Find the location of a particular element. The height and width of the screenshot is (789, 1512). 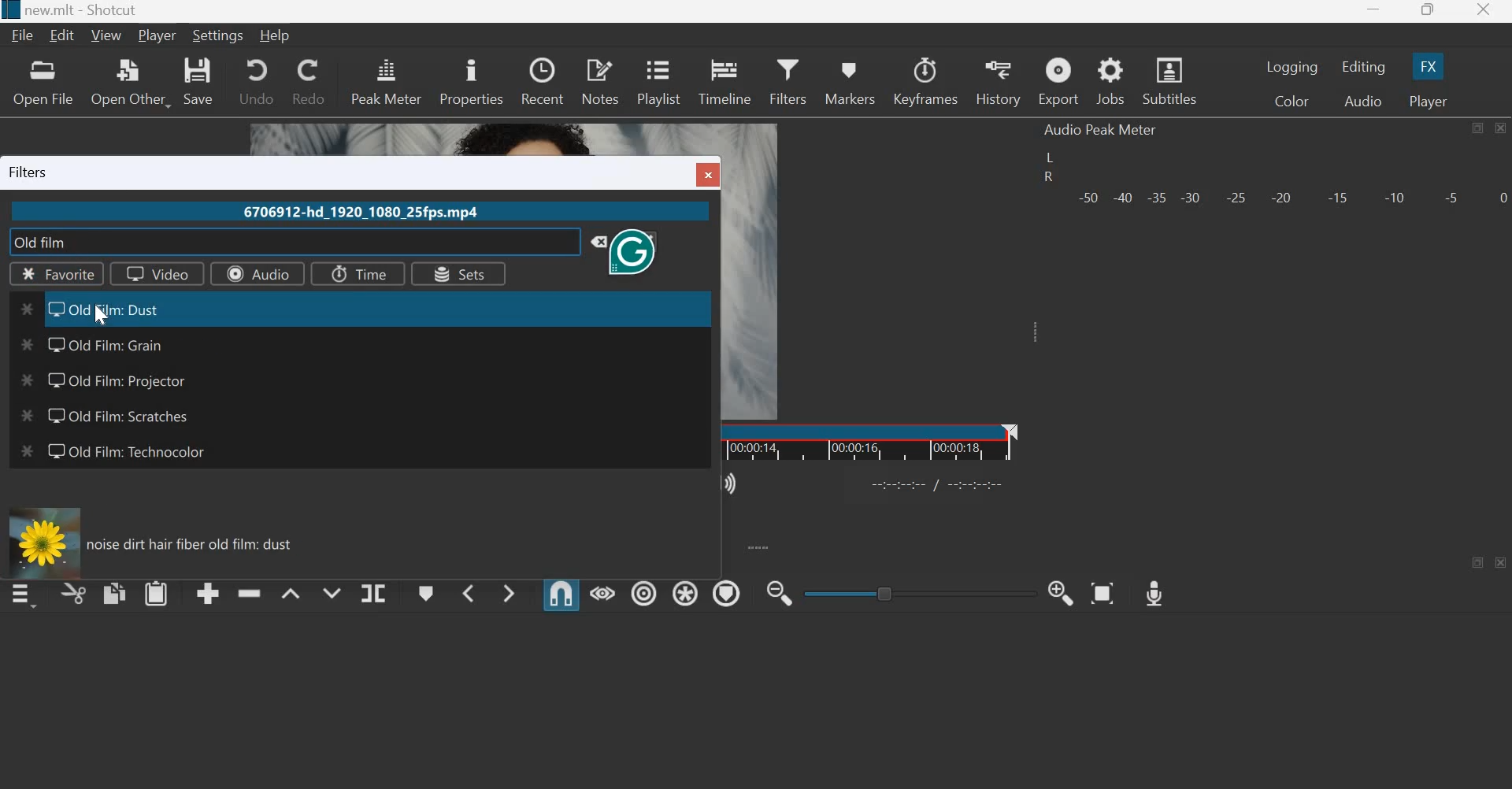

paste is located at coordinates (157, 592).